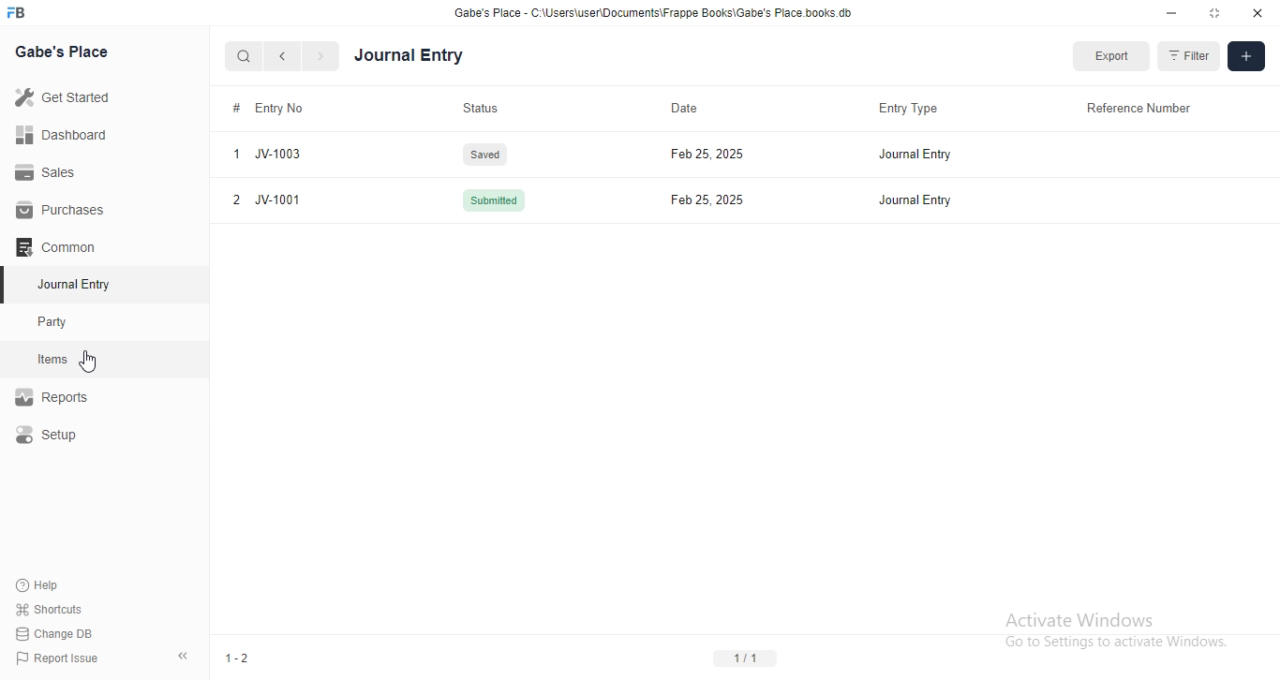 The height and width of the screenshot is (680, 1280). I want to click on party, so click(56, 322).